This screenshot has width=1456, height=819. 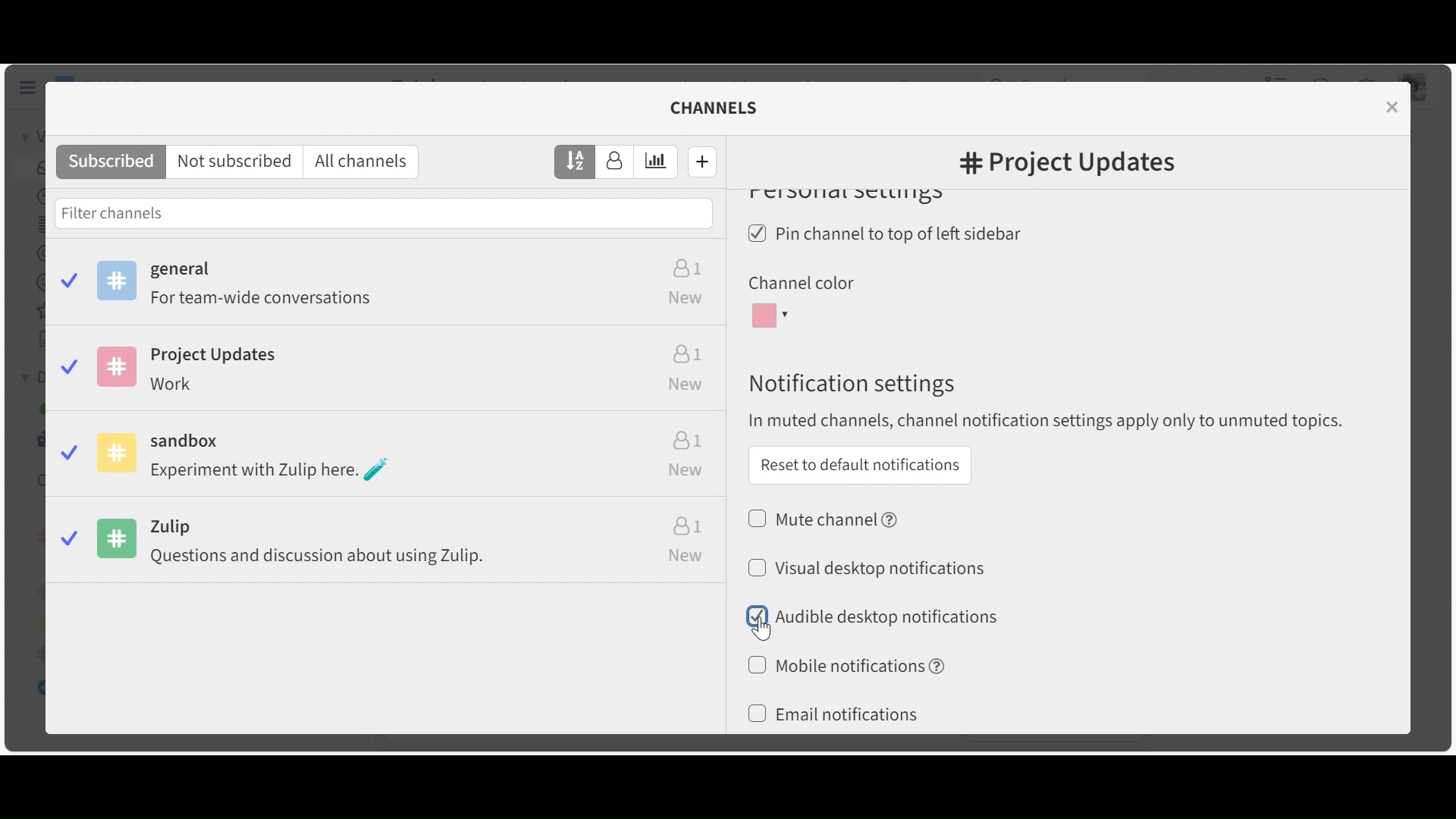 What do you see at coordinates (576, 161) in the screenshot?
I see `Sort by name` at bounding box center [576, 161].